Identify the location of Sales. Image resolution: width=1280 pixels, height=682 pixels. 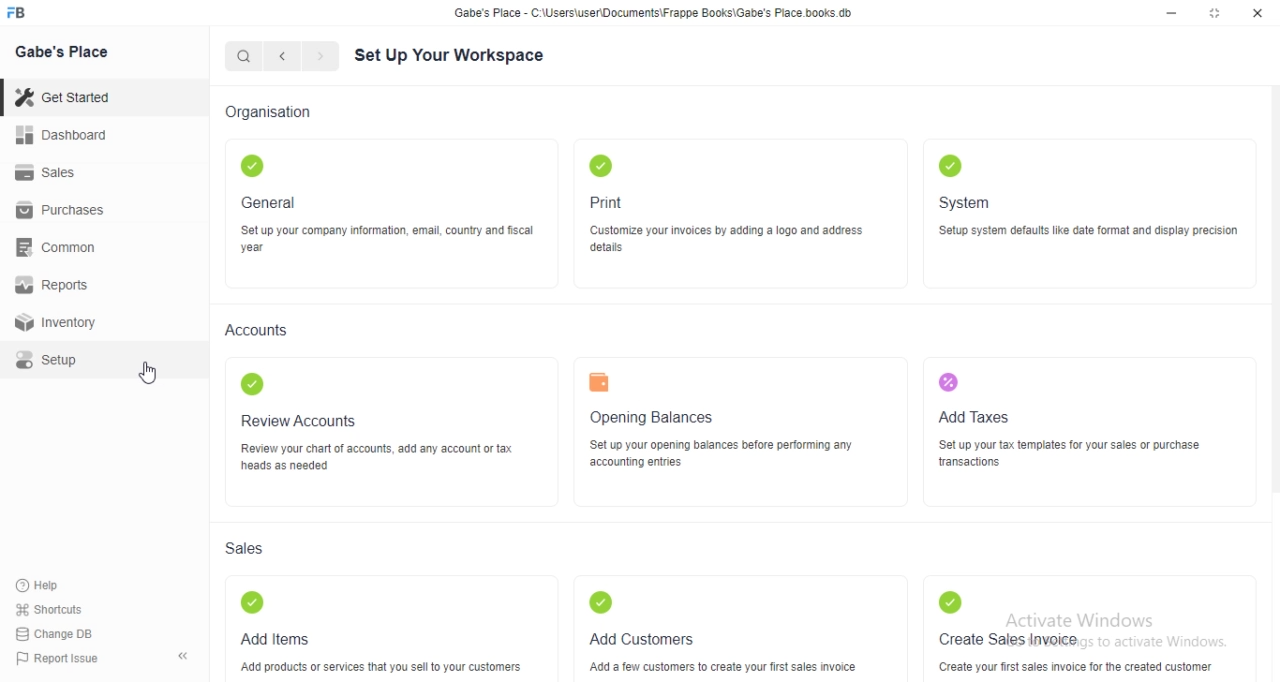
(258, 550).